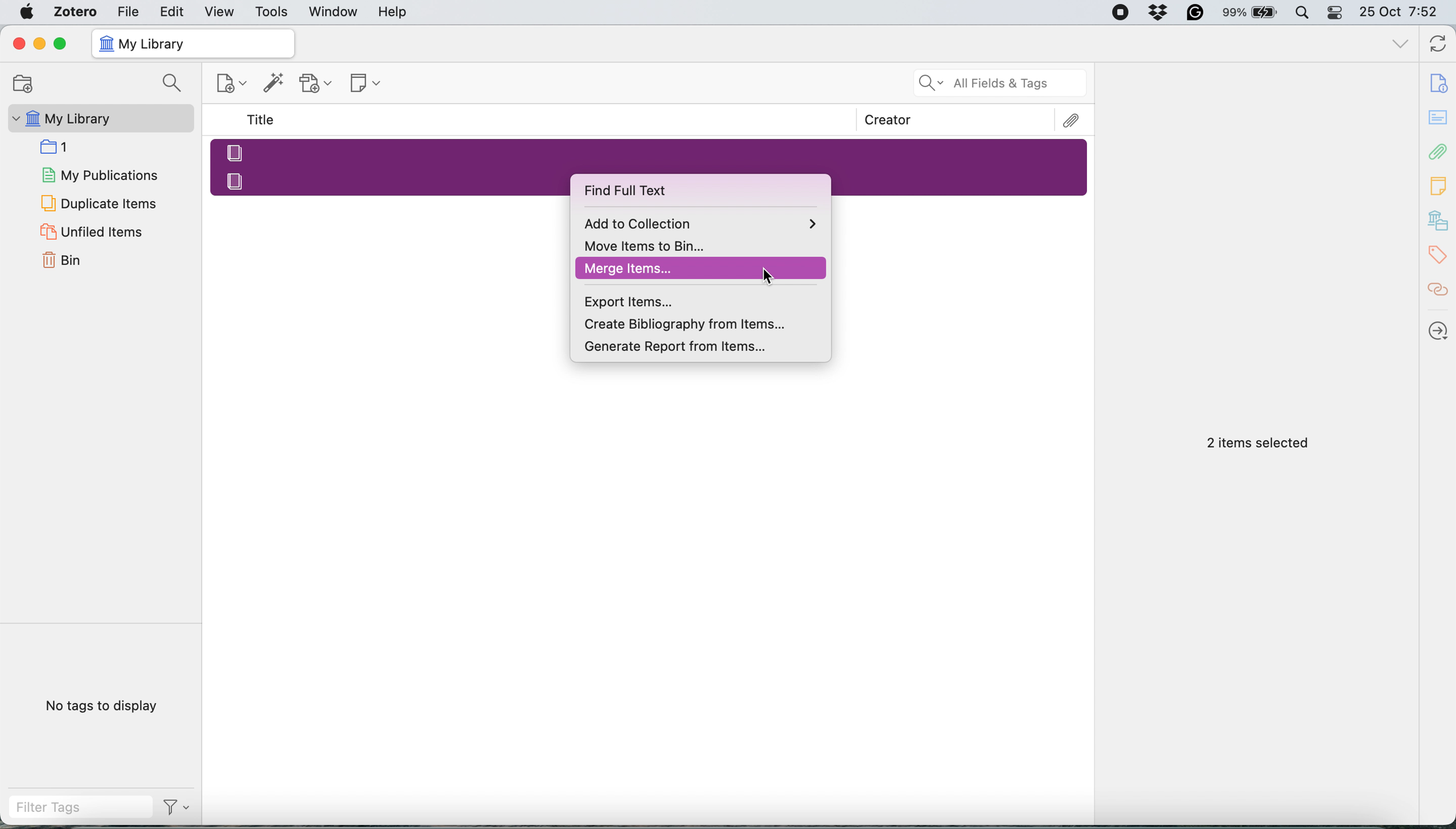 This screenshot has height=829, width=1456. Describe the element at coordinates (263, 120) in the screenshot. I see `Title` at that location.